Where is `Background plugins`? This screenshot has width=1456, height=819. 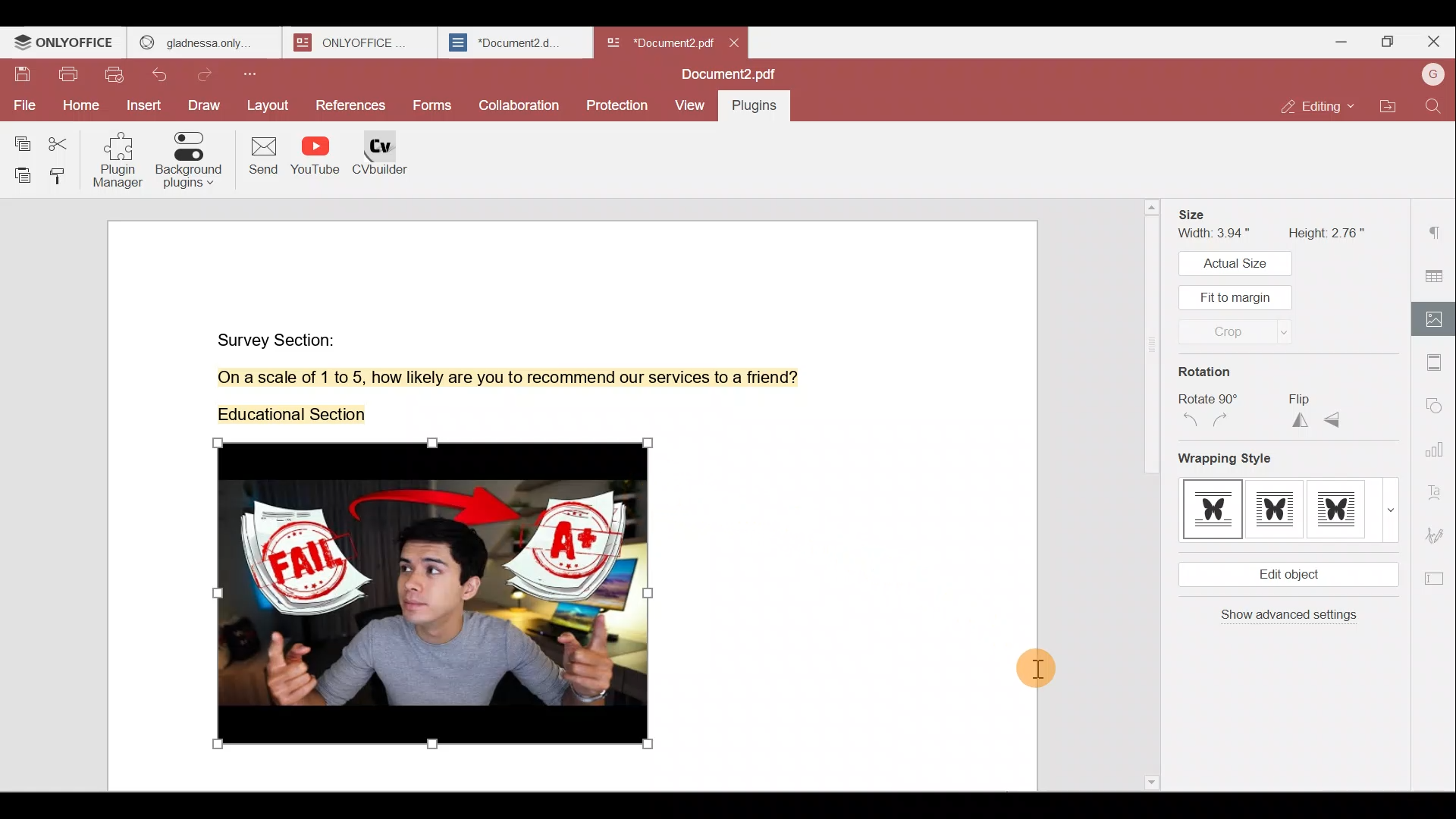
Background plugins is located at coordinates (188, 160).